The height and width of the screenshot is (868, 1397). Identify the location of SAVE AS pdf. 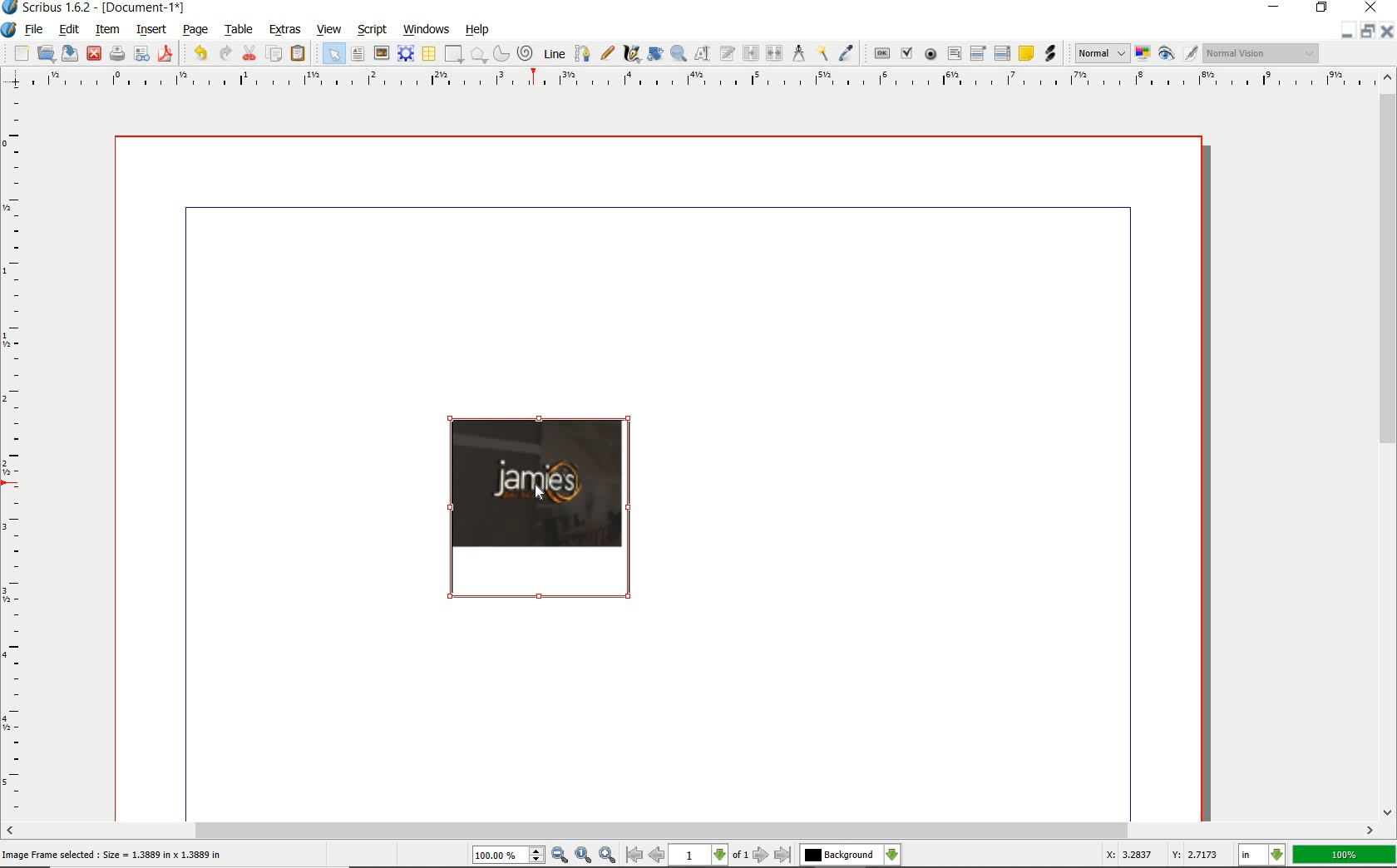
(167, 54).